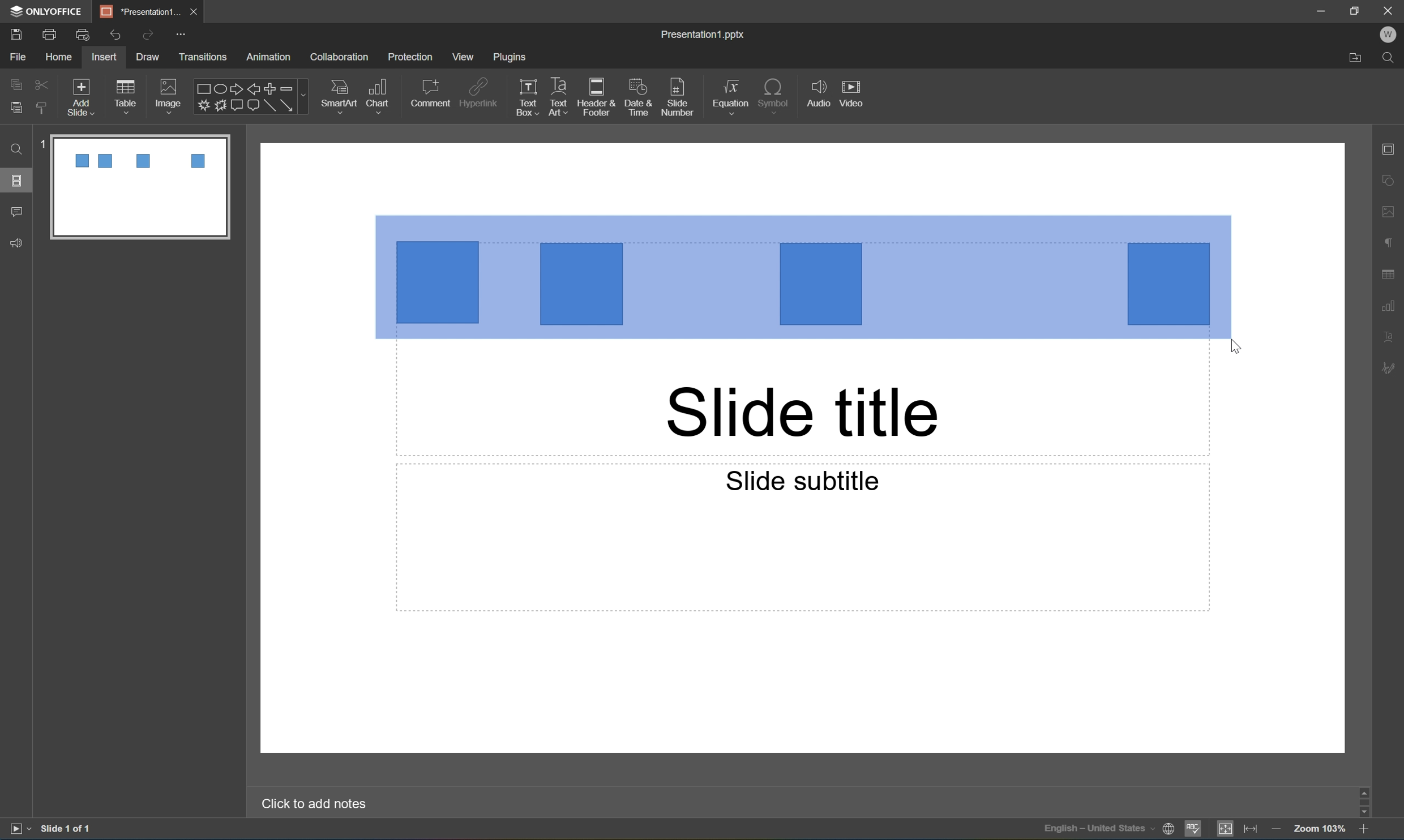 This screenshot has width=1404, height=840. What do you see at coordinates (1393, 213) in the screenshot?
I see `image settings` at bounding box center [1393, 213].